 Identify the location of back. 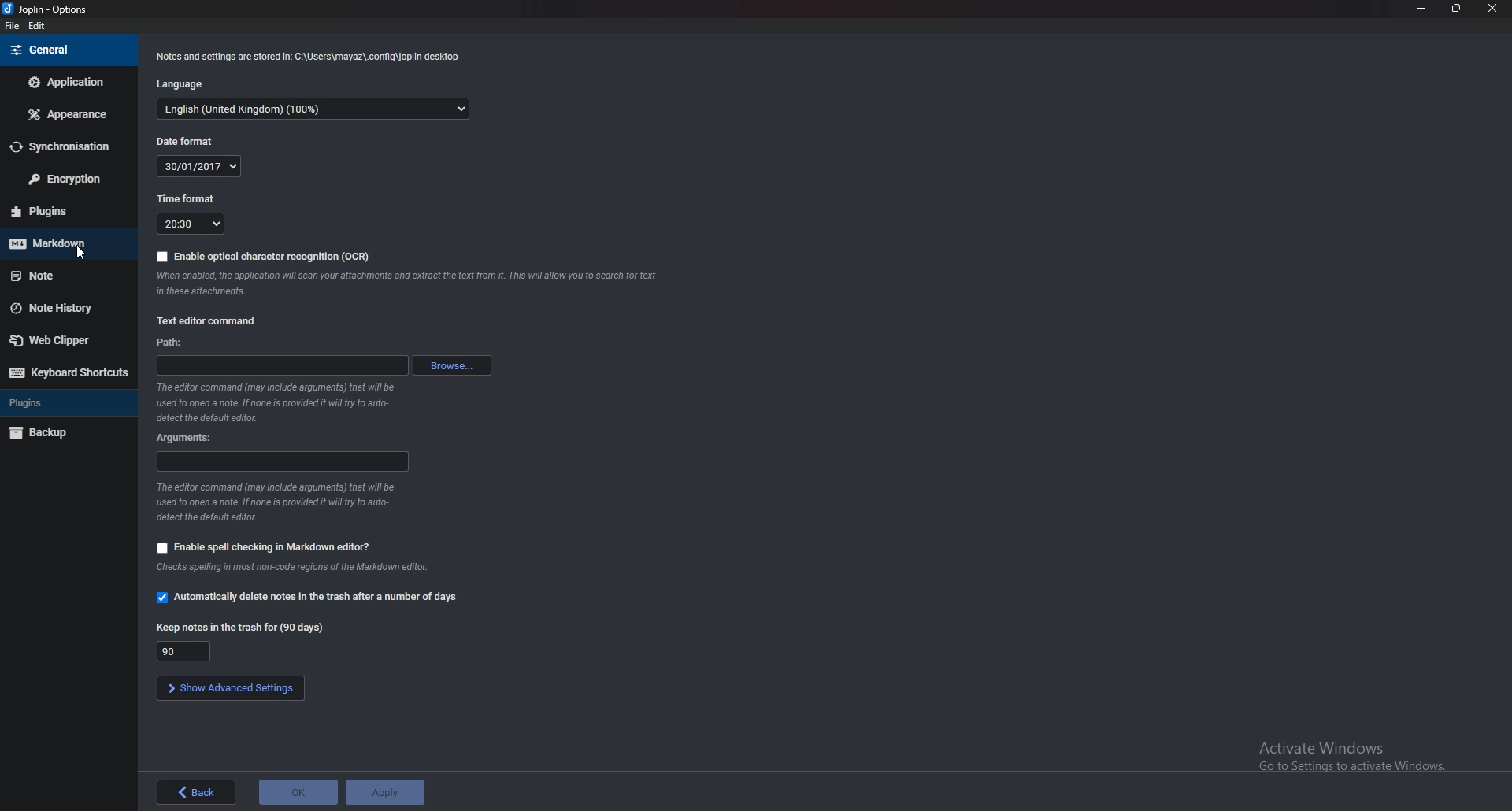
(196, 794).